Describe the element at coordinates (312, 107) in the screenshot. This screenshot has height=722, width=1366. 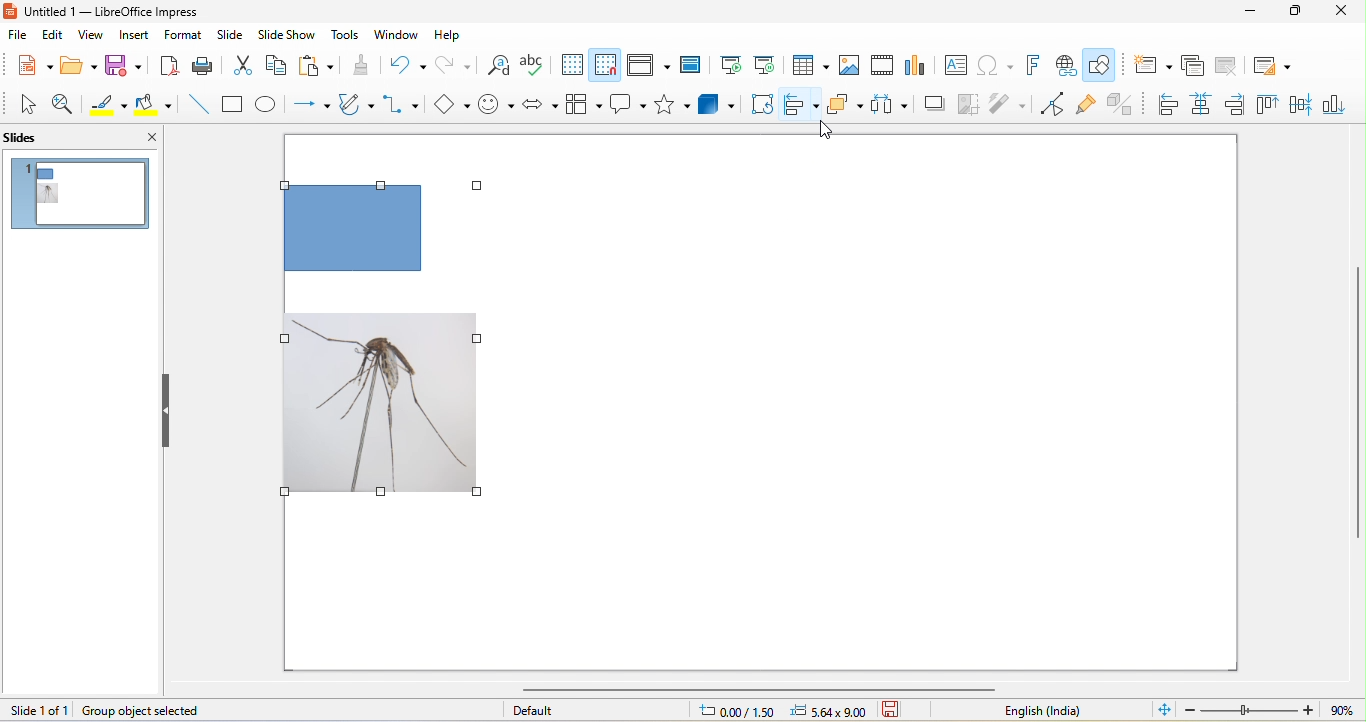
I see `lines and arrow` at that location.